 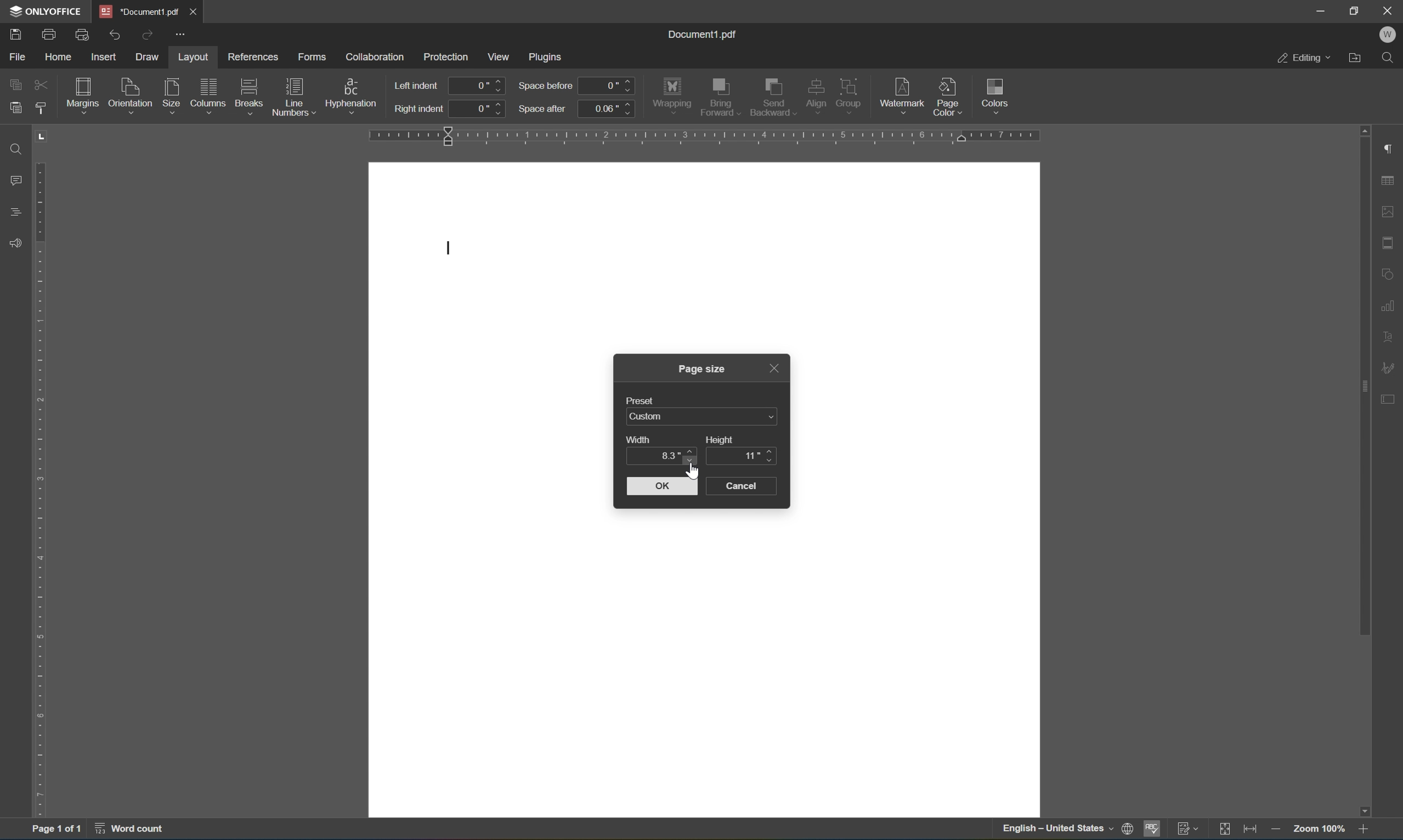 What do you see at coordinates (353, 93) in the screenshot?
I see `hypernation` at bounding box center [353, 93].